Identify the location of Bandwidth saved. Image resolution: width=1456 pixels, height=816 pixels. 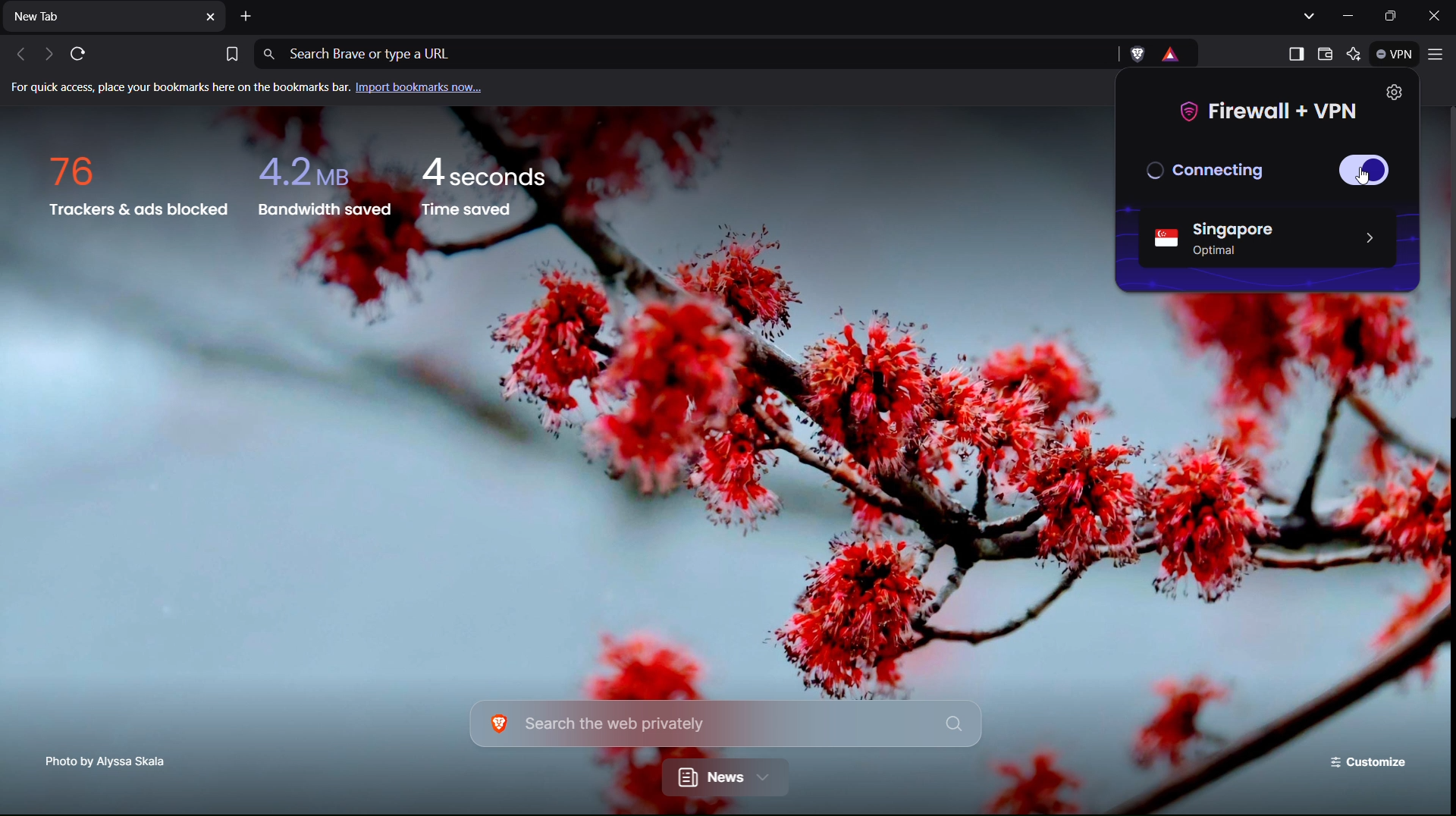
(322, 188).